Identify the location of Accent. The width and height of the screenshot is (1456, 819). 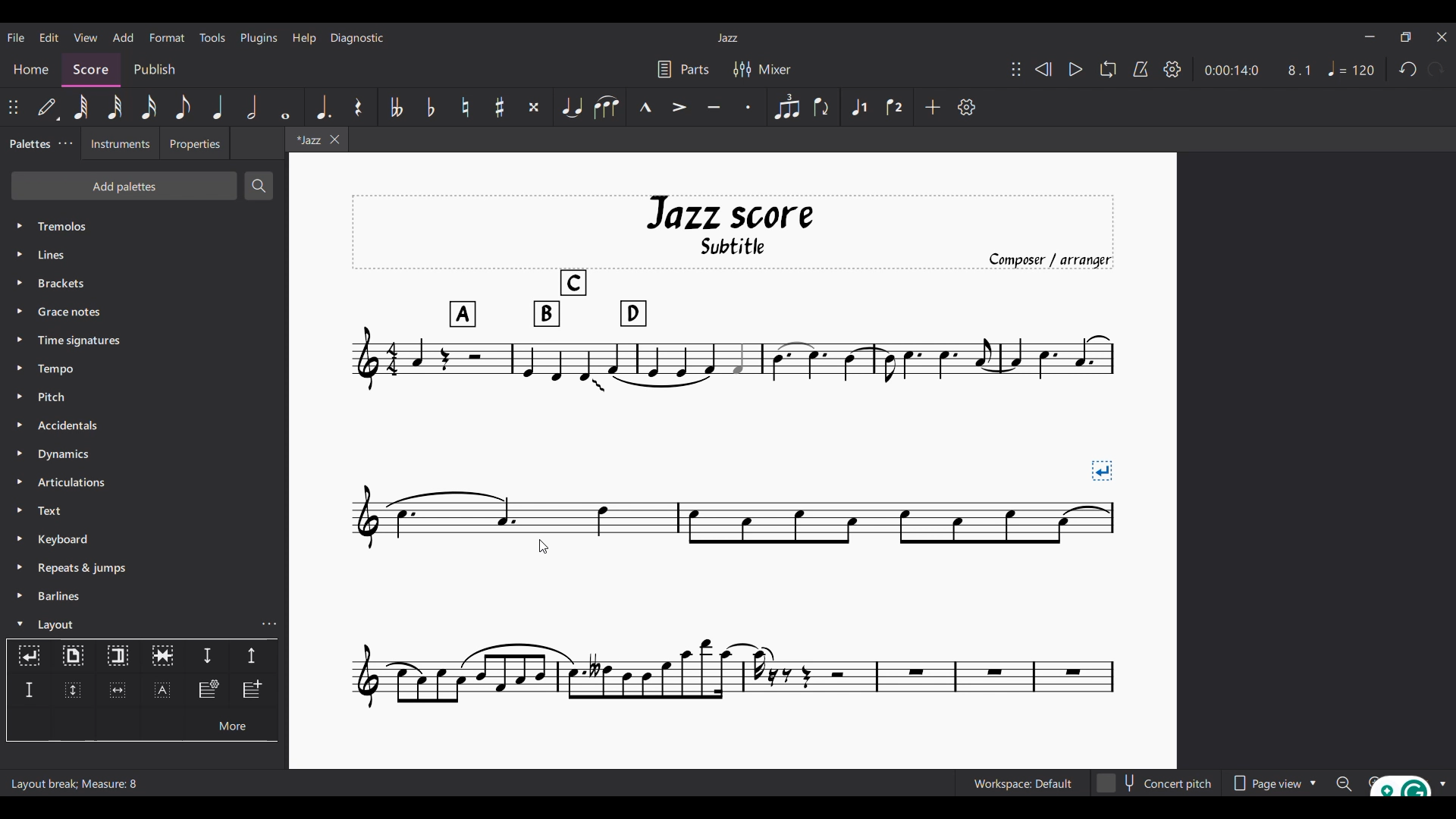
(678, 108).